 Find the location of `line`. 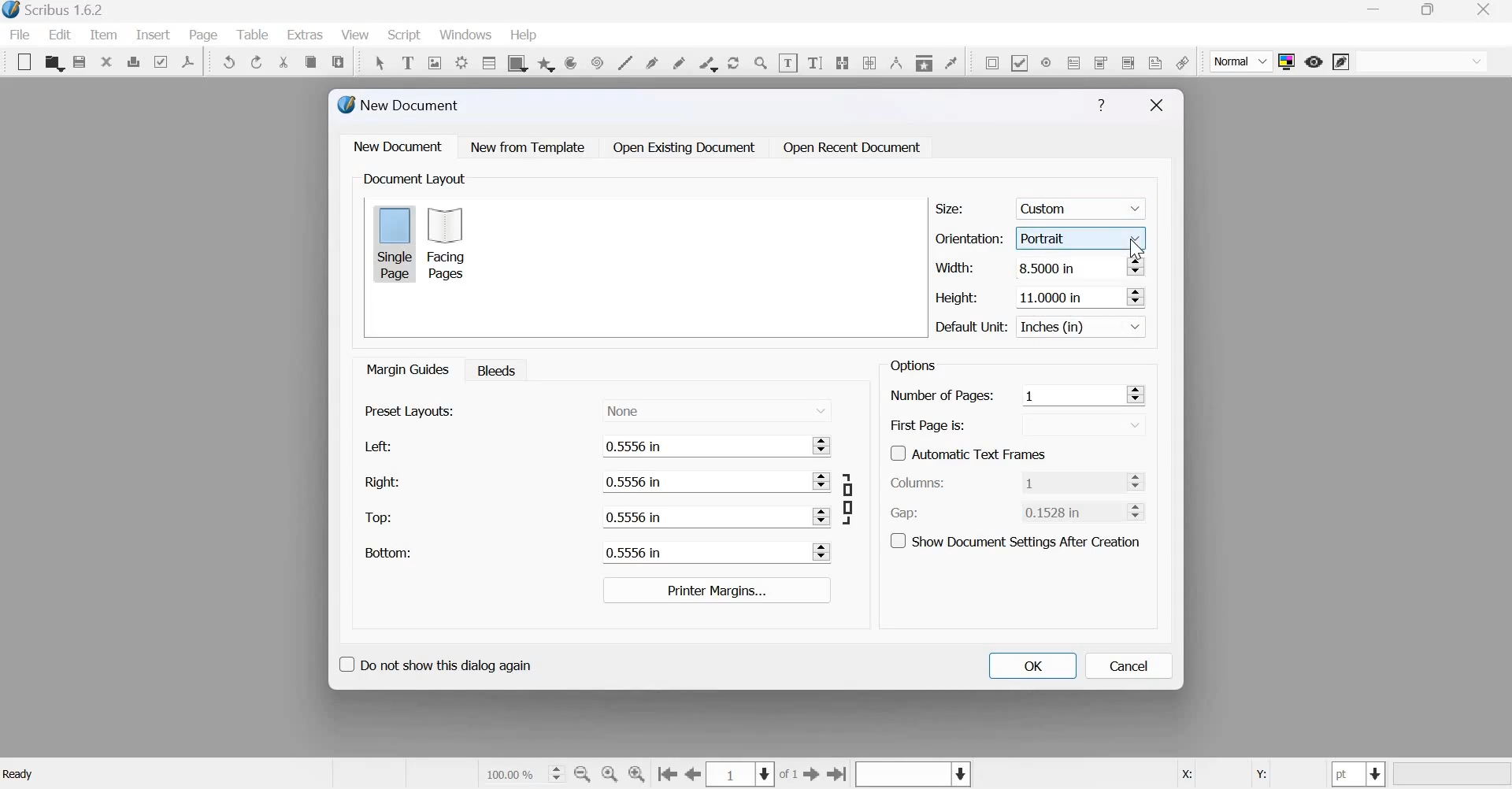

line is located at coordinates (624, 61).